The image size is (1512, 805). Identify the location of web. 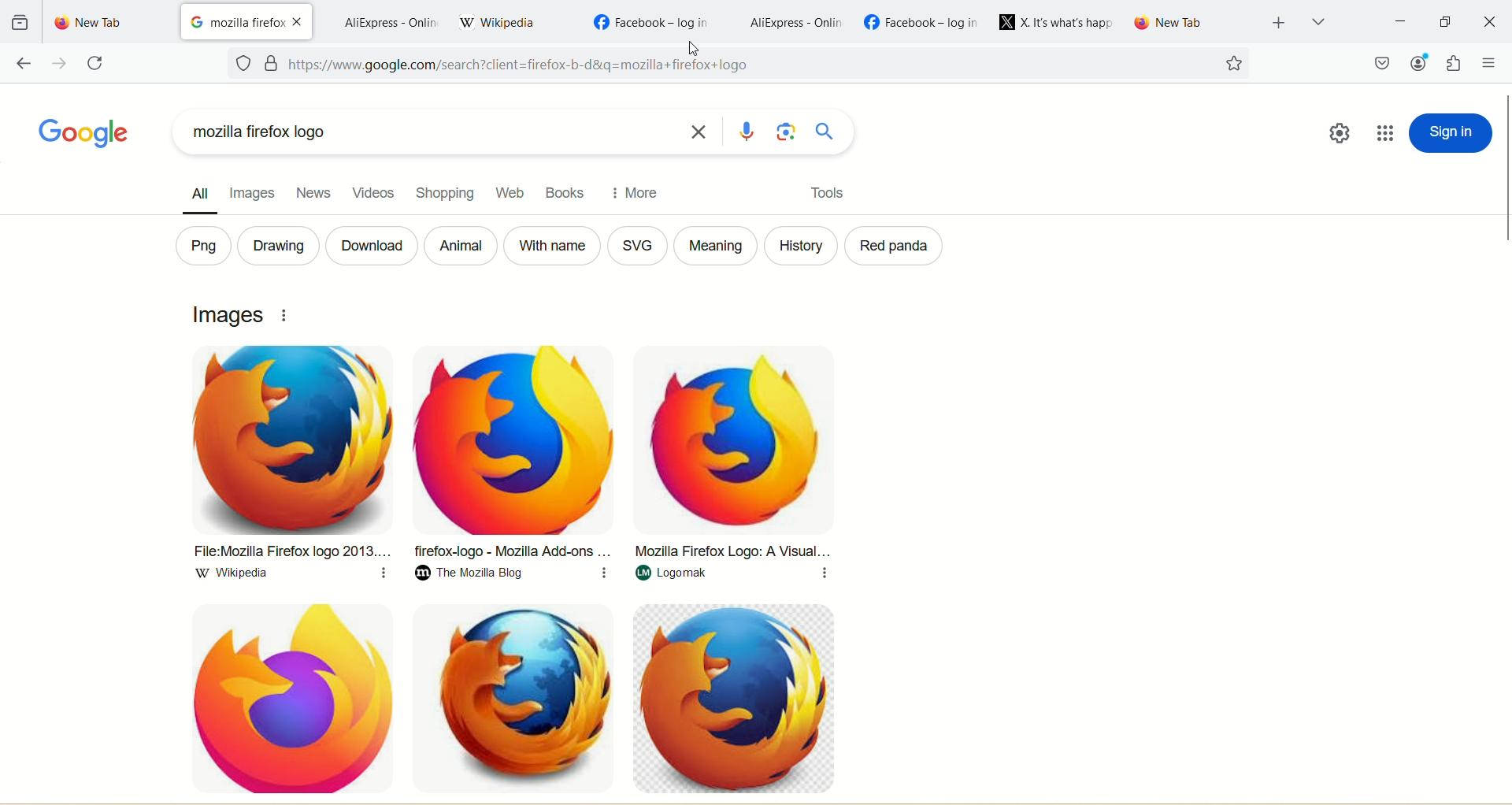
(510, 194).